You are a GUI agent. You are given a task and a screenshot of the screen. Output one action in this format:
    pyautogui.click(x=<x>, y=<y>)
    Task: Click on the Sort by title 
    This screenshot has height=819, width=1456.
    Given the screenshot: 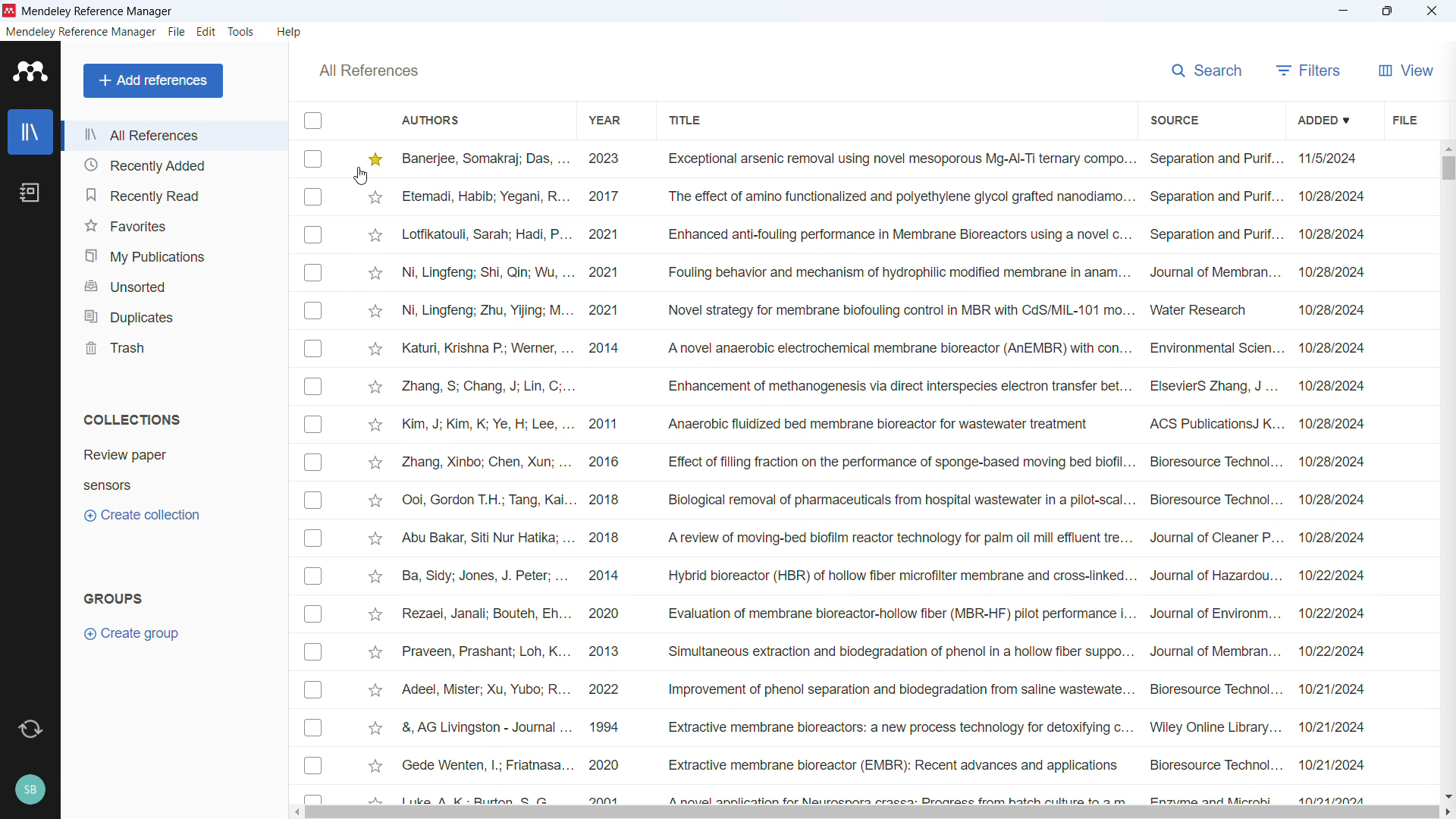 What is the action you would take?
    pyautogui.click(x=684, y=121)
    